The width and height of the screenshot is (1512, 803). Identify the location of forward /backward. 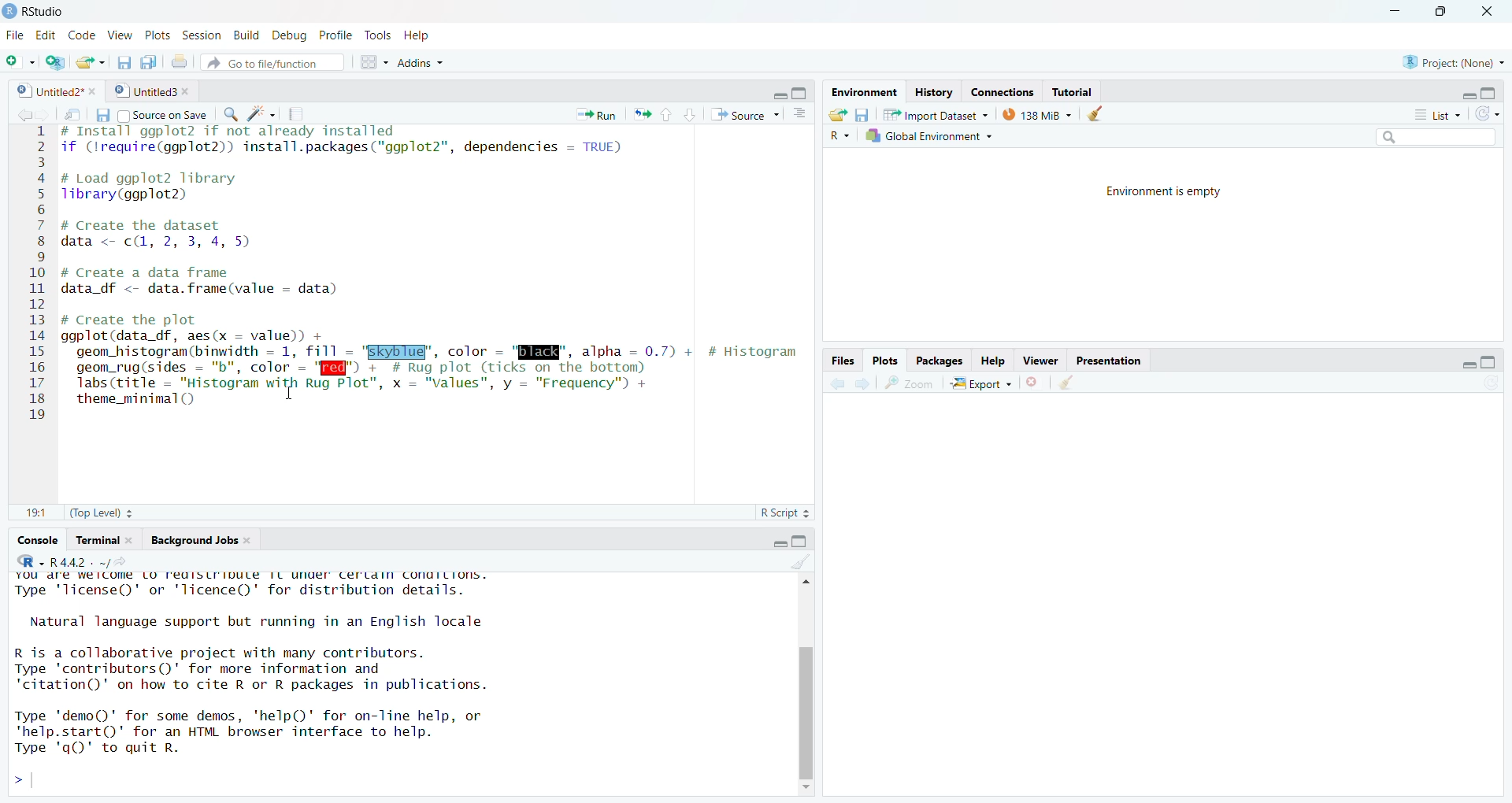
(847, 383).